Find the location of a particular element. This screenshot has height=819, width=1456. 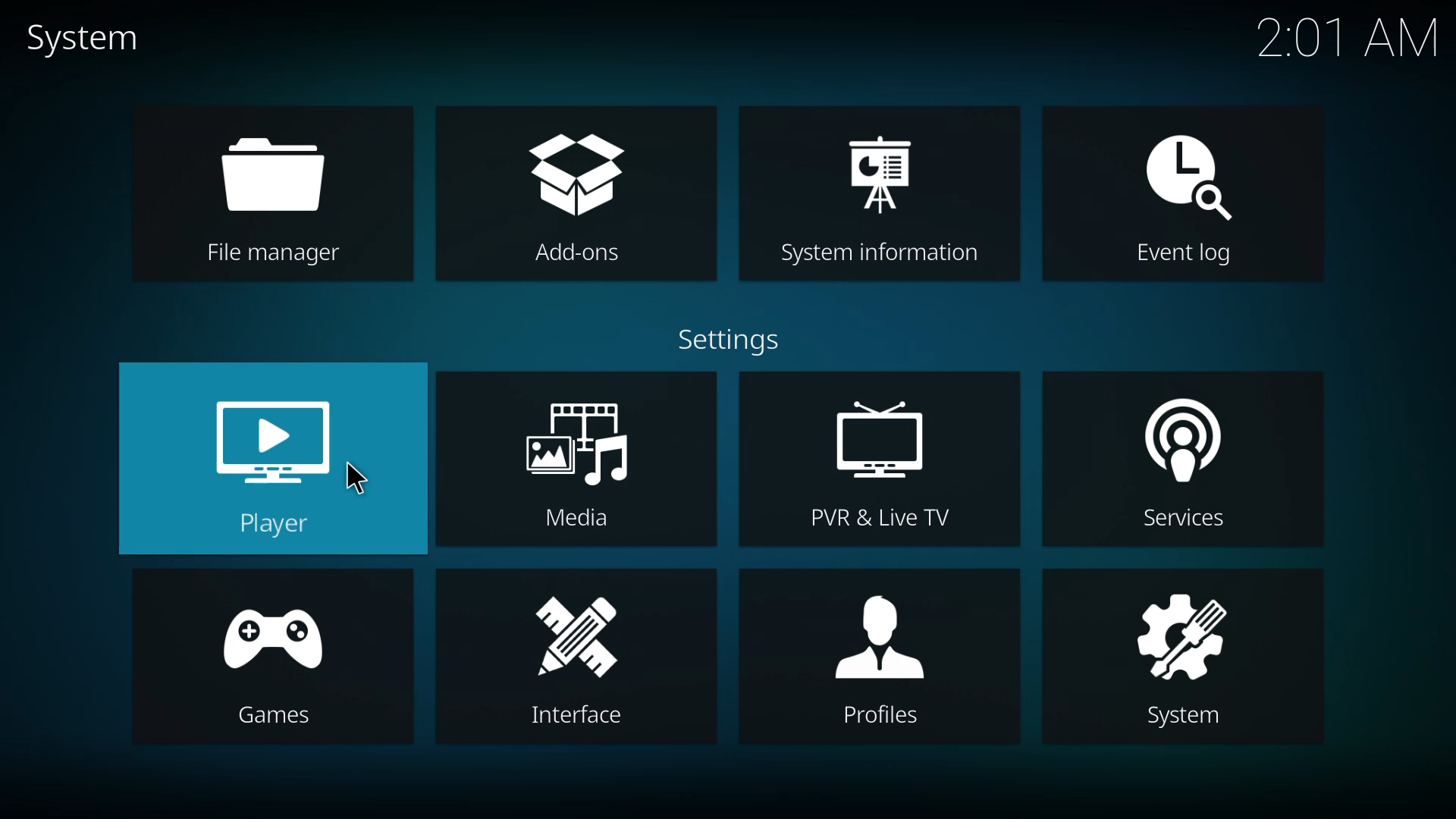

system is located at coordinates (80, 37).